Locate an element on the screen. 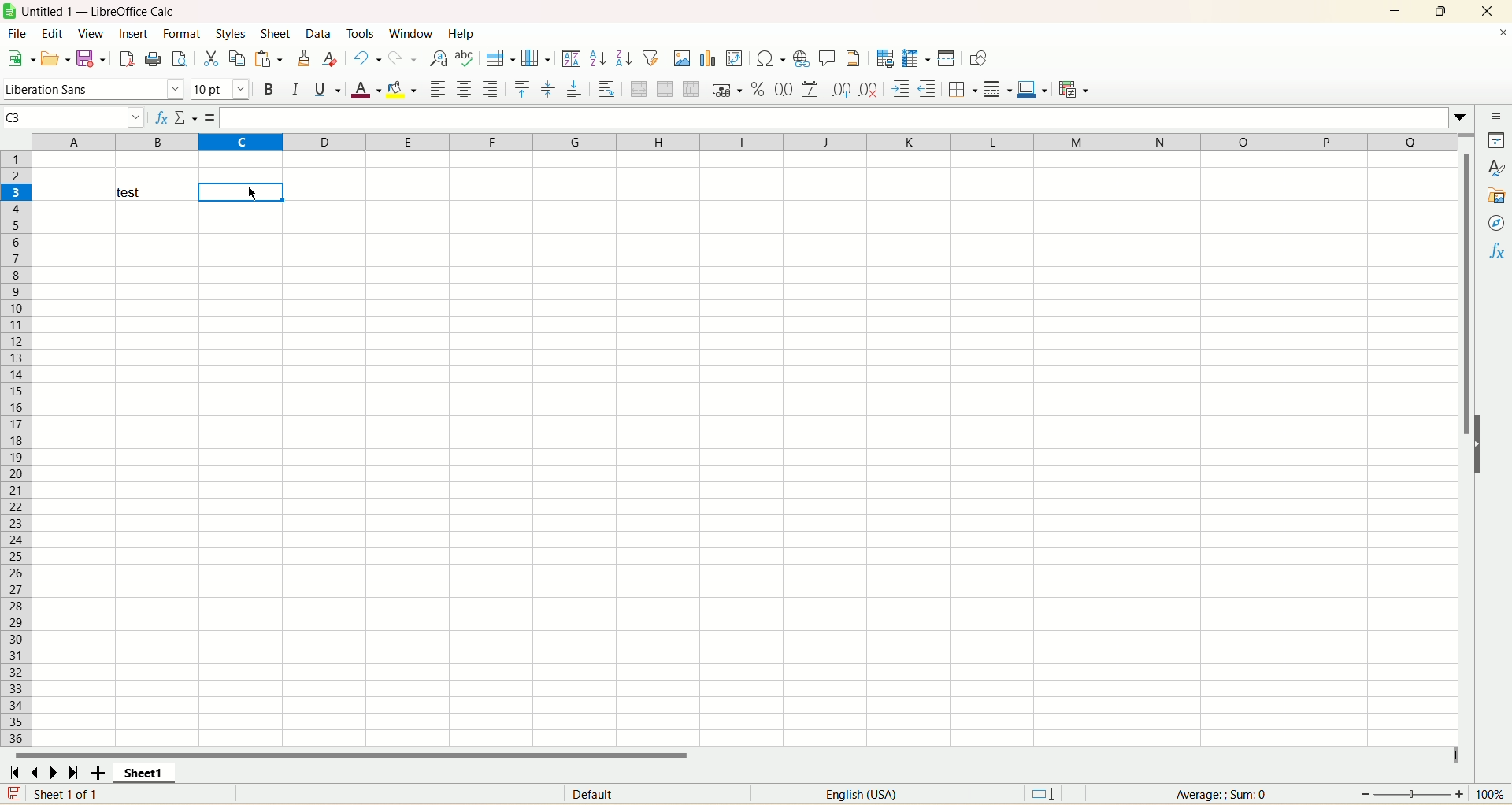  borders is located at coordinates (963, 89).